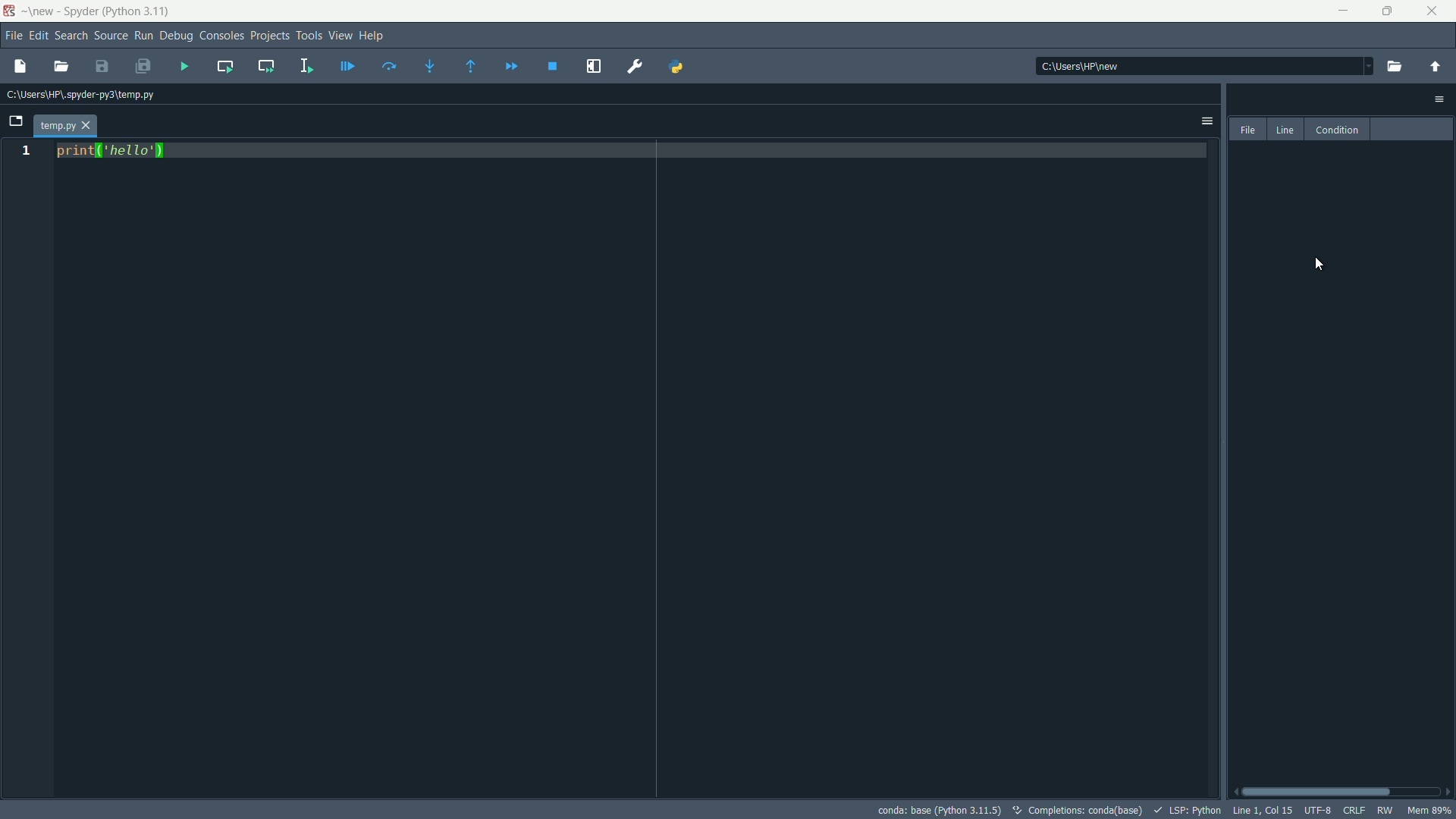  What do you see at coordinates (676, 67) in the screenshot?
I see `python path manager` at bounding box center [676, 67].